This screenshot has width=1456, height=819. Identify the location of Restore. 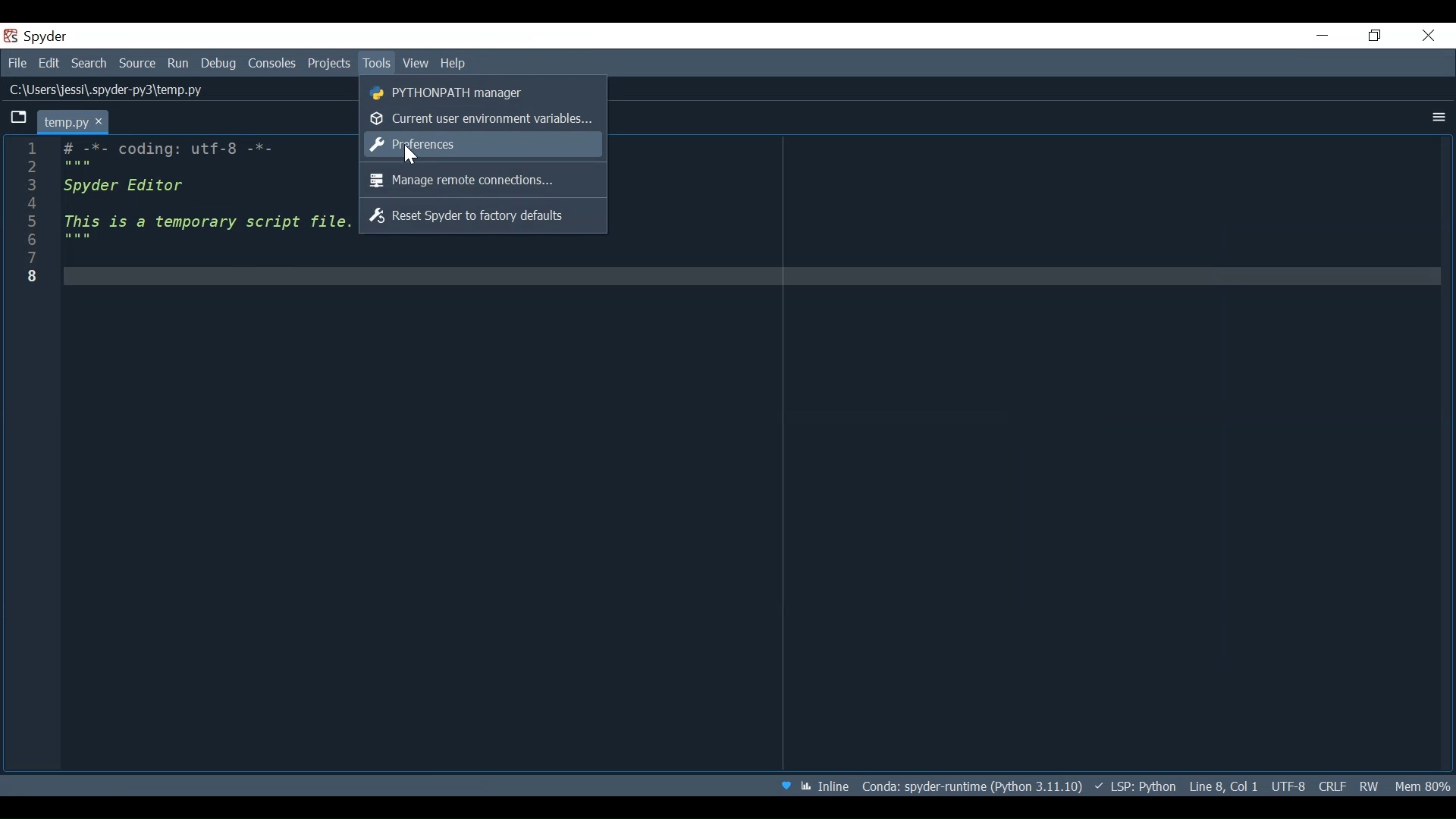
(1379, 35).